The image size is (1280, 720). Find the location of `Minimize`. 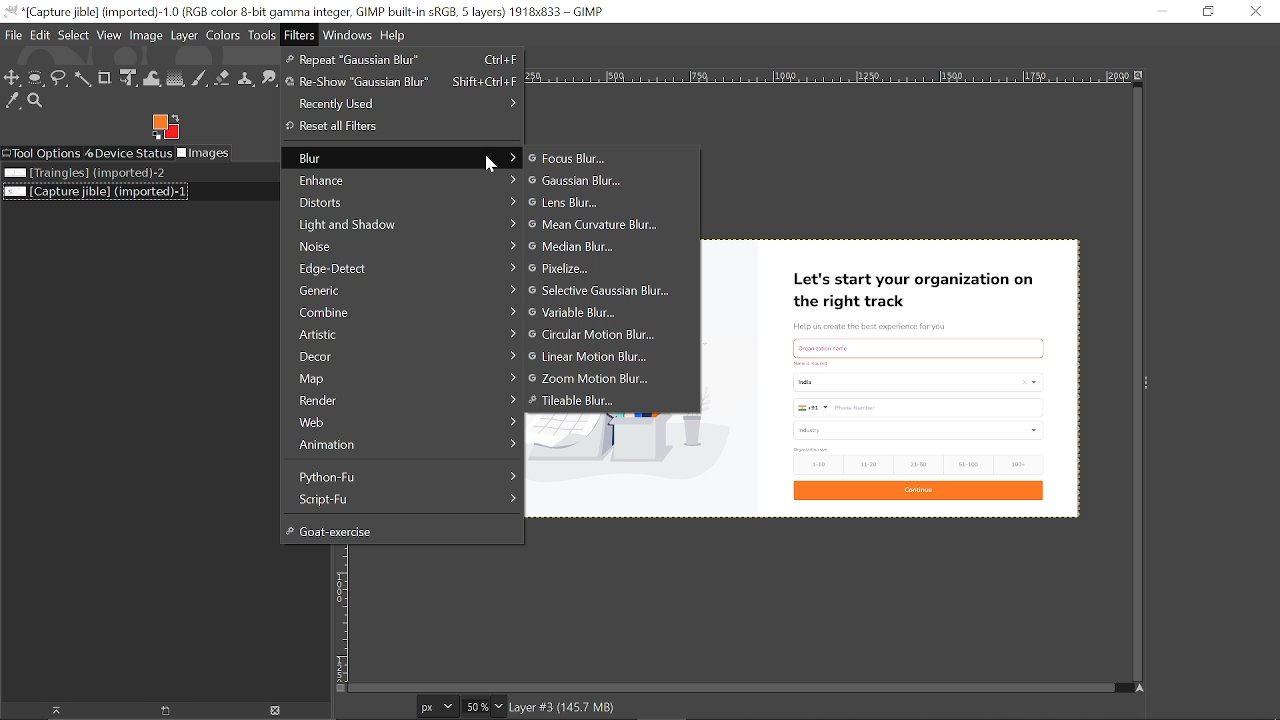

Minimize is located at coordinates (1162, 12).